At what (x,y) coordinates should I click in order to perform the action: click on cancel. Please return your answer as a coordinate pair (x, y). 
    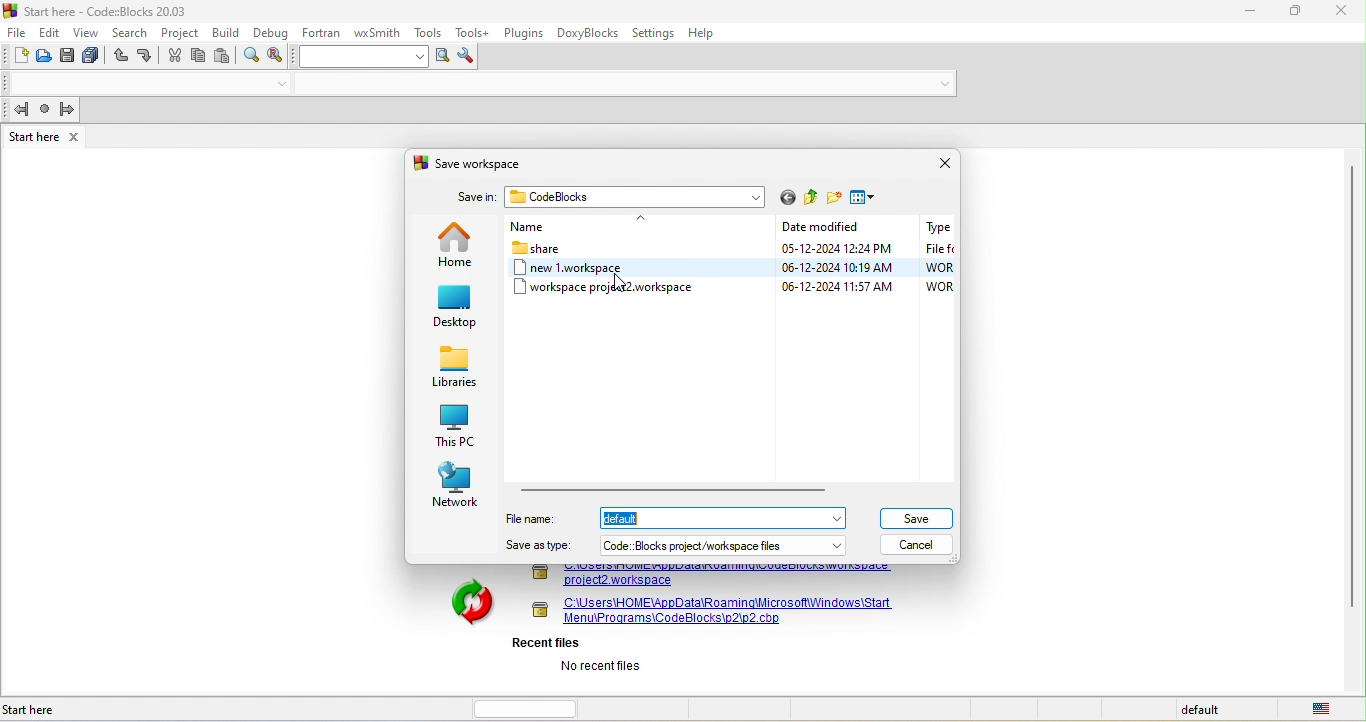
    Looking at the image, I should click on (923, 544).